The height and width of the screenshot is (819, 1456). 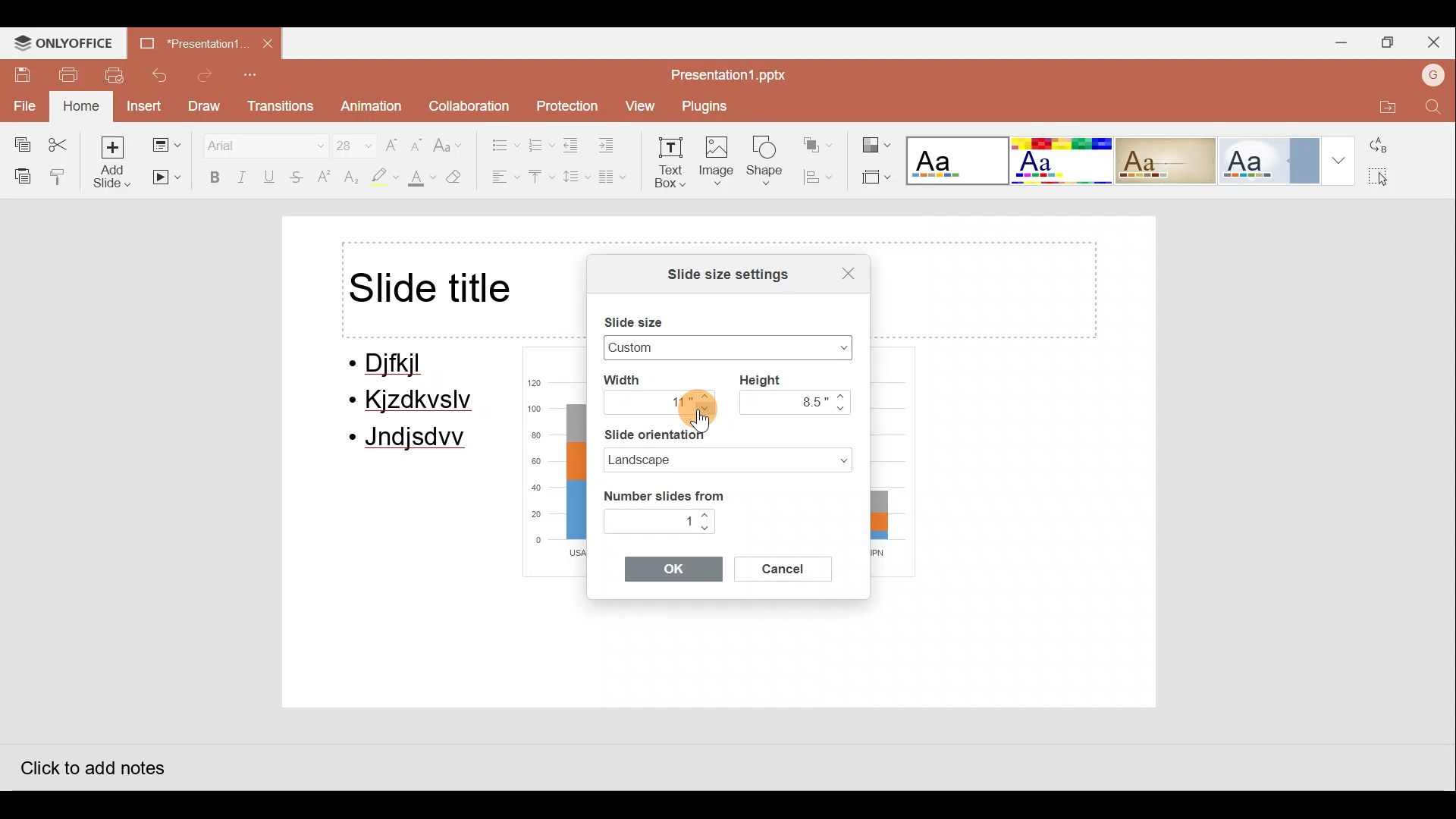 What do you see at coordinates (616, 146) in the screenshot?
I see `Increase indent` at bounding box center [616, 146].